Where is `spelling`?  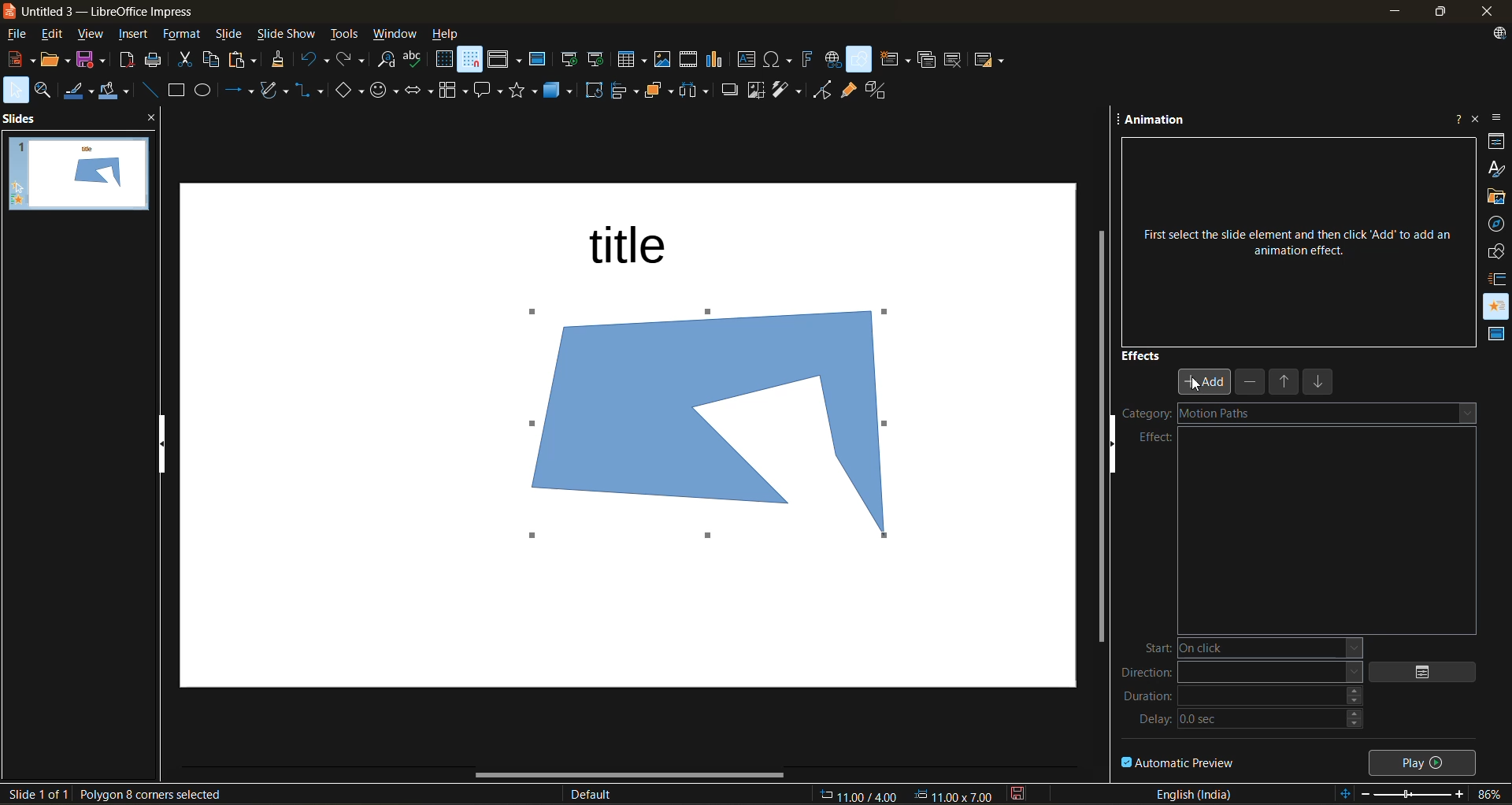
spelling is located at coordinates (415, 59).